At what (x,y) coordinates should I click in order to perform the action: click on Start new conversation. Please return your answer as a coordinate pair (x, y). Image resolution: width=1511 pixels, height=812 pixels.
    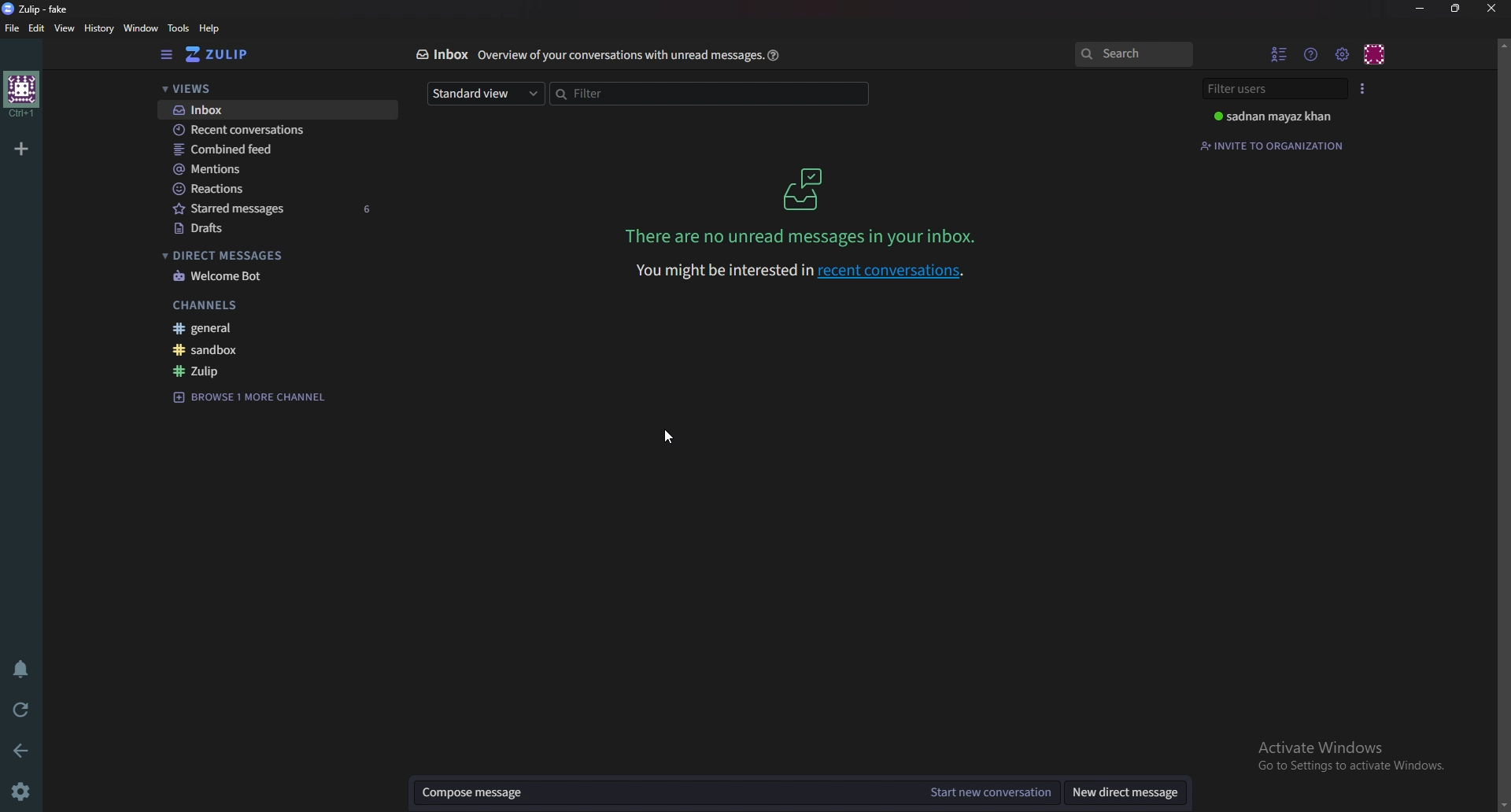
    Looking at the image, I should click on (997, 791).